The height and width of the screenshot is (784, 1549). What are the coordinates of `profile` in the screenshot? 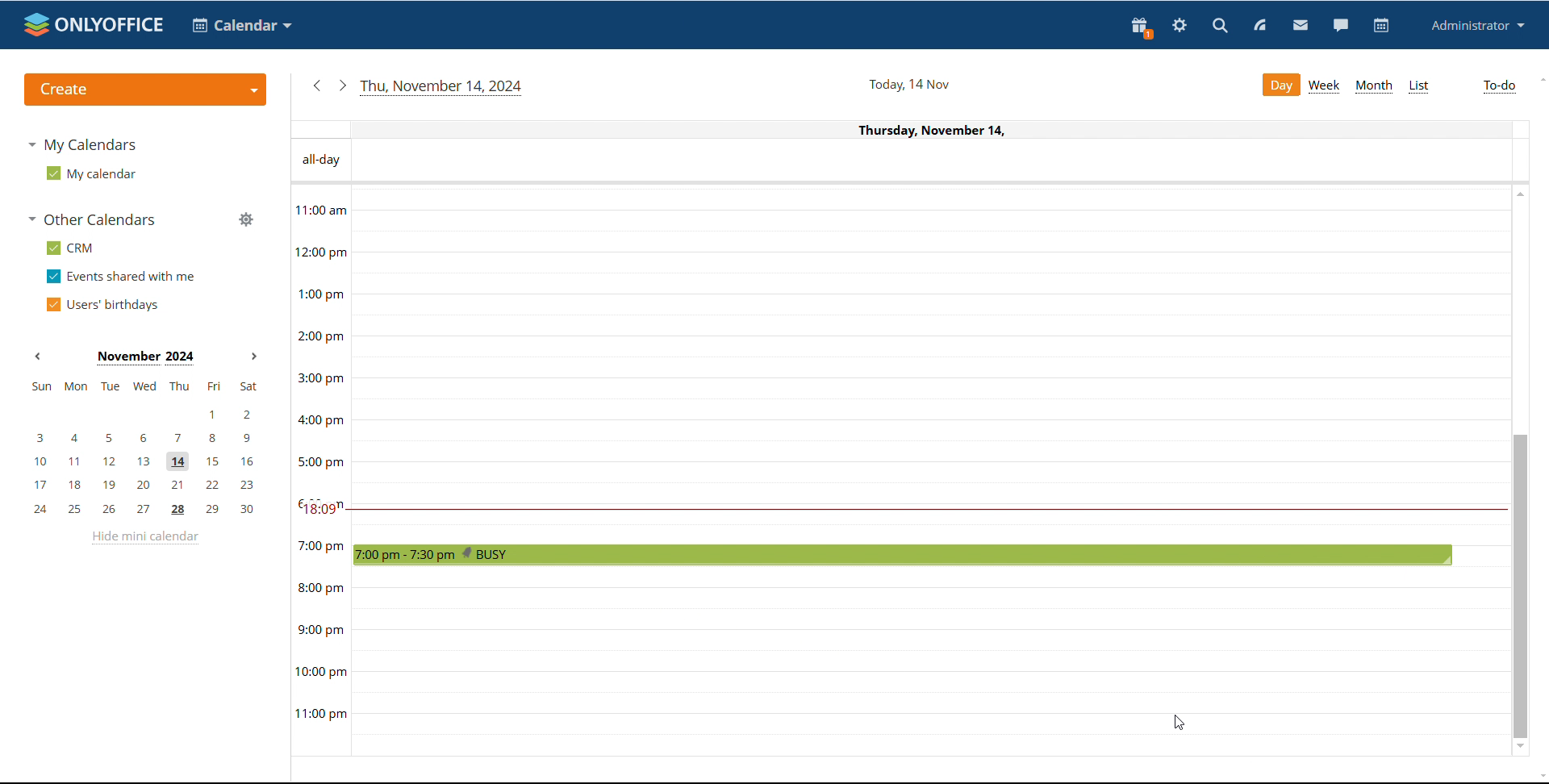 It's located at (1476, 26).